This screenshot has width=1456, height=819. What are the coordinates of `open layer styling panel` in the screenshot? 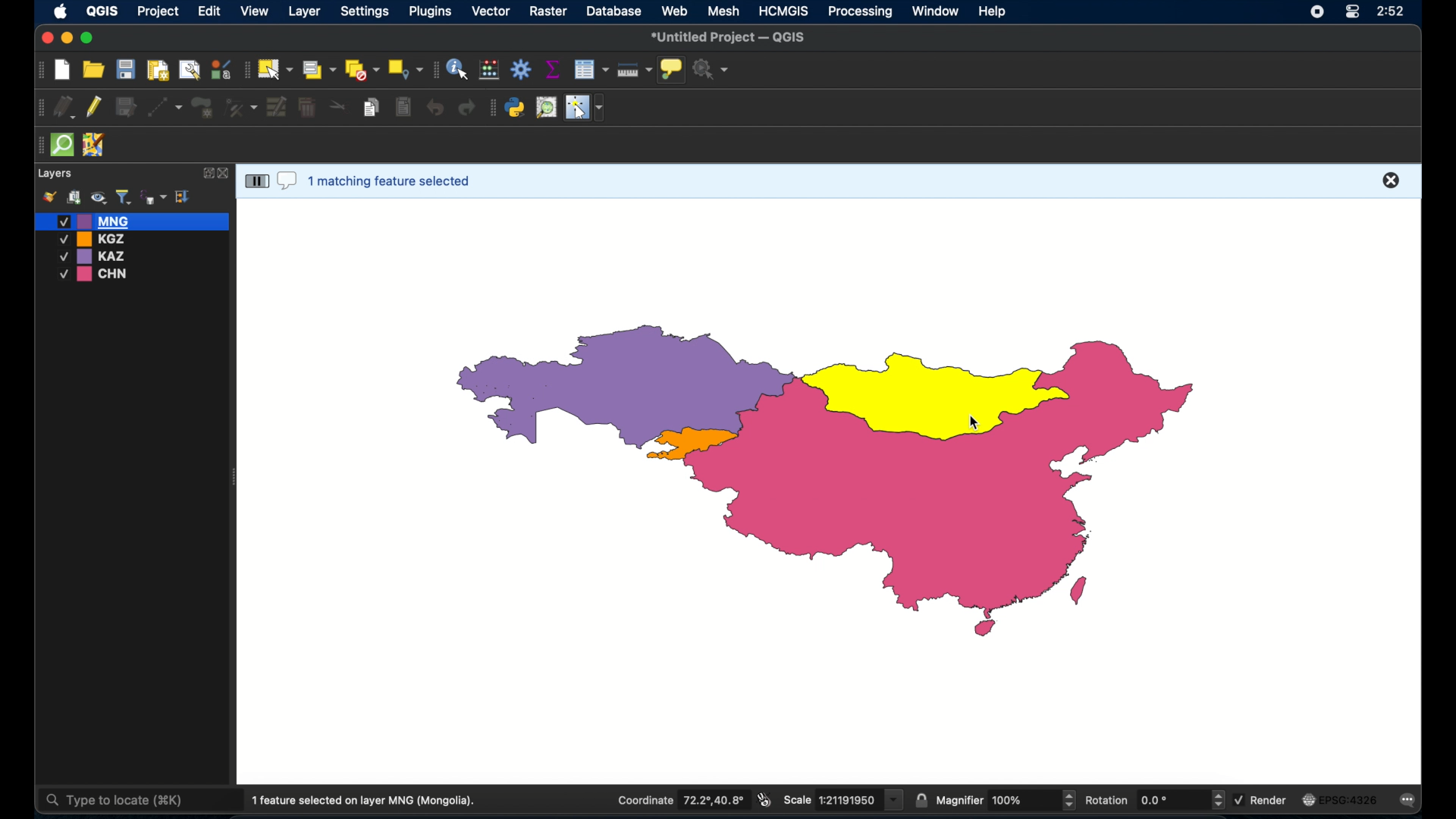 It's located at (49, 197).